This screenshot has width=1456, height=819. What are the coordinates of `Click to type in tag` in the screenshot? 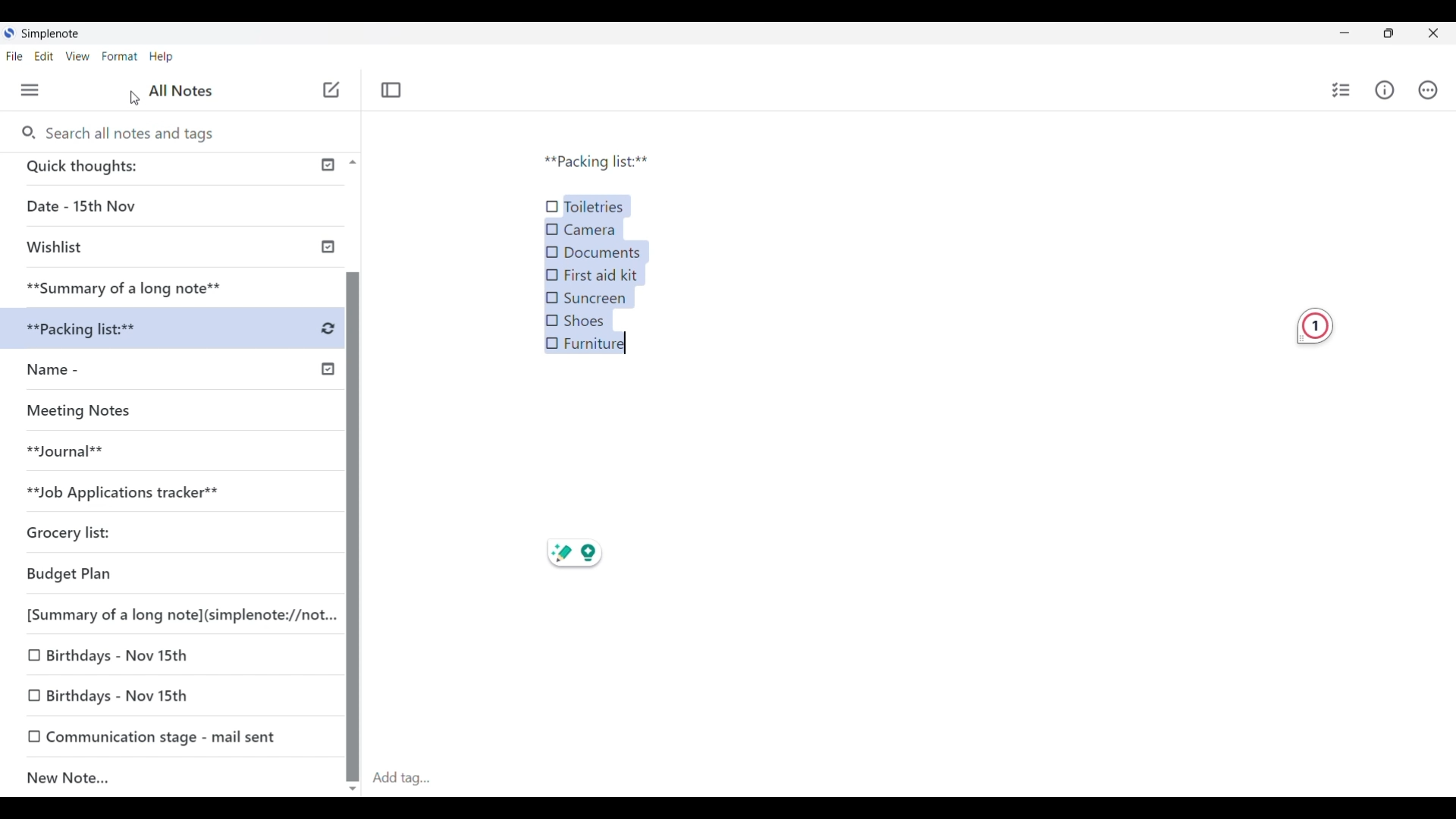 It's located at (400, 779).